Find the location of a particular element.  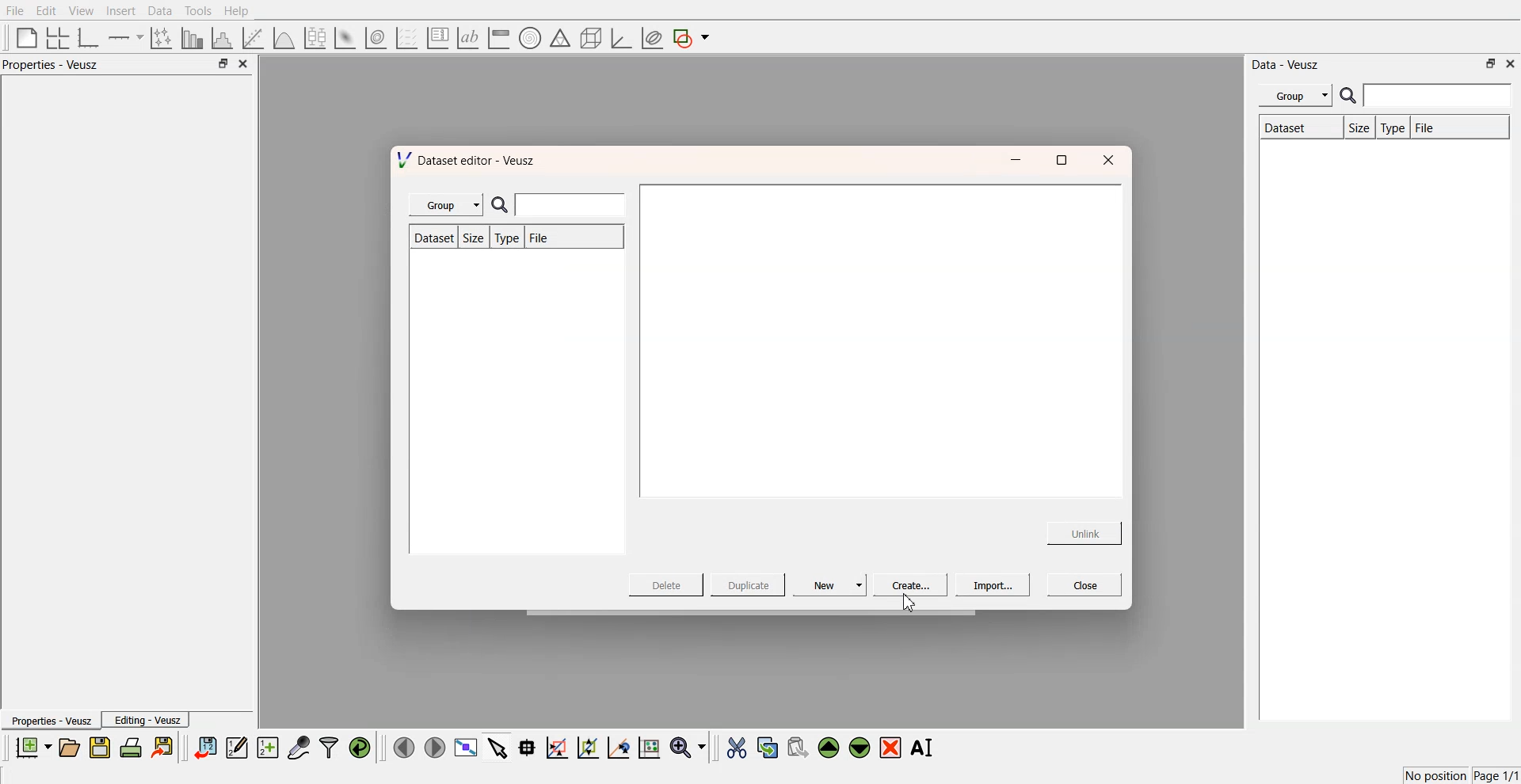

File is located at coordinates (1439, 127).